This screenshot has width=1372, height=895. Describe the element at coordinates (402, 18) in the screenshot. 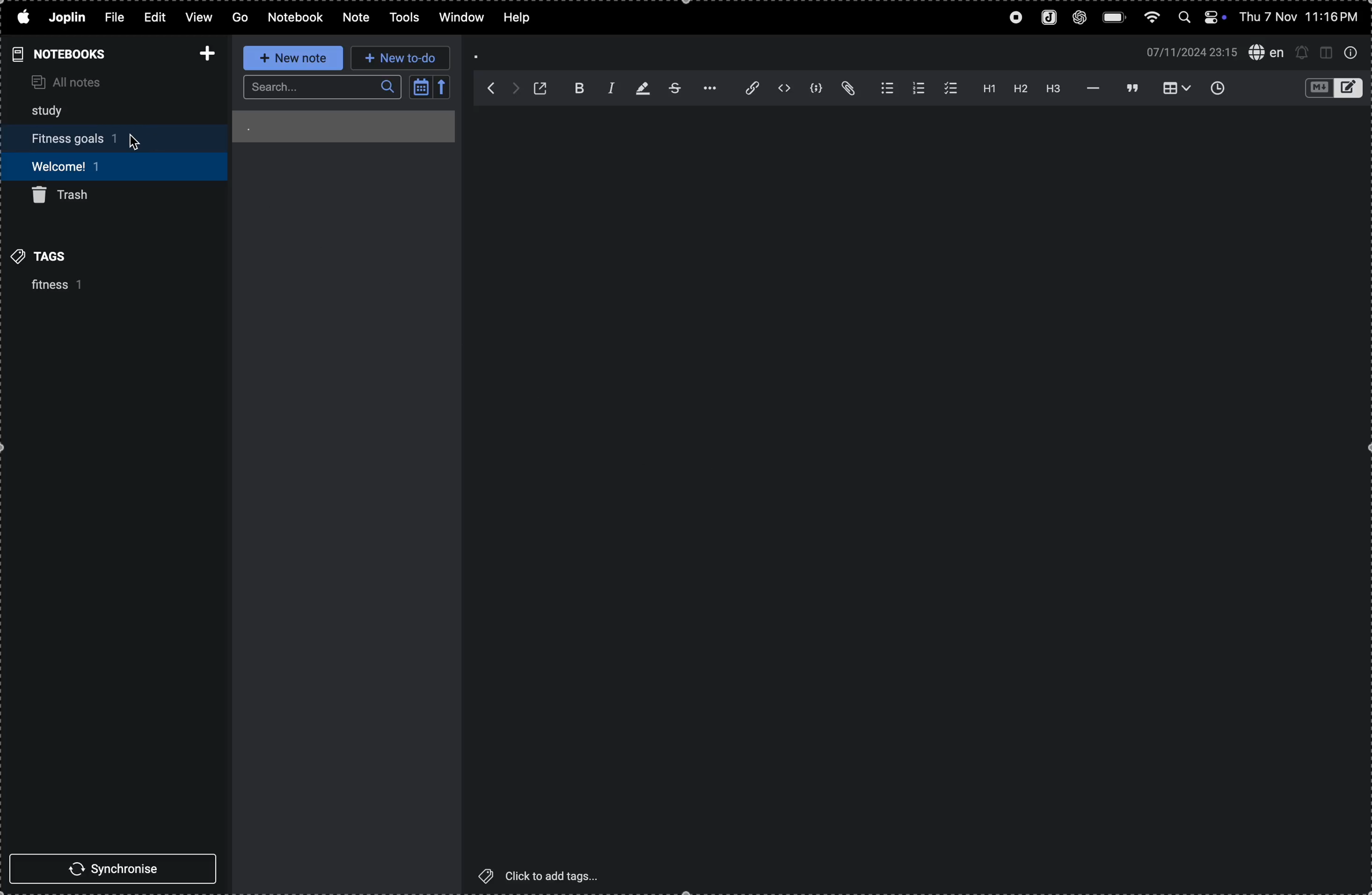

I see `tools` at that location.